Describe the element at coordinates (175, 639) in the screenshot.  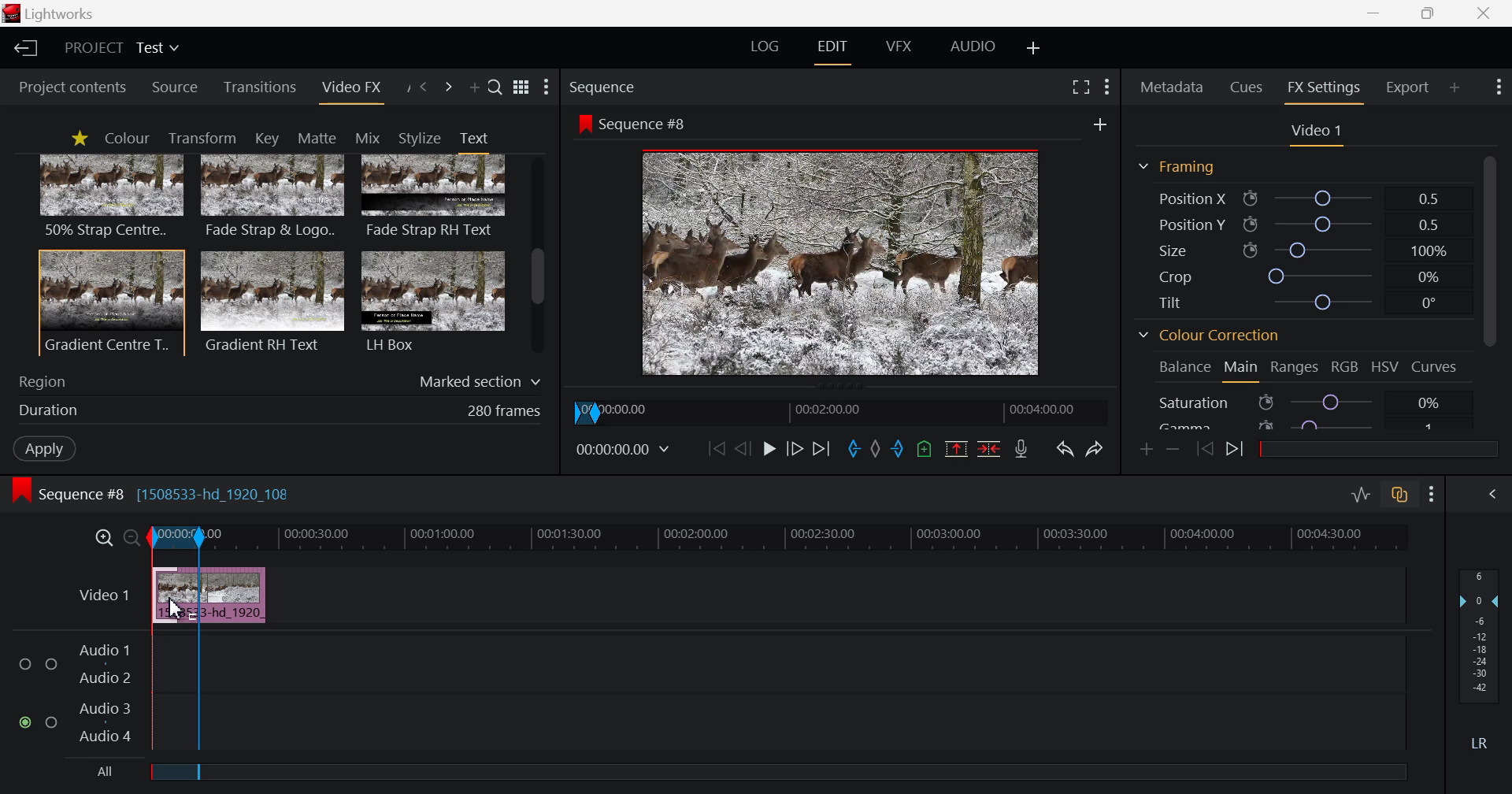
I see `Clip Segment with In and Out` at that location.